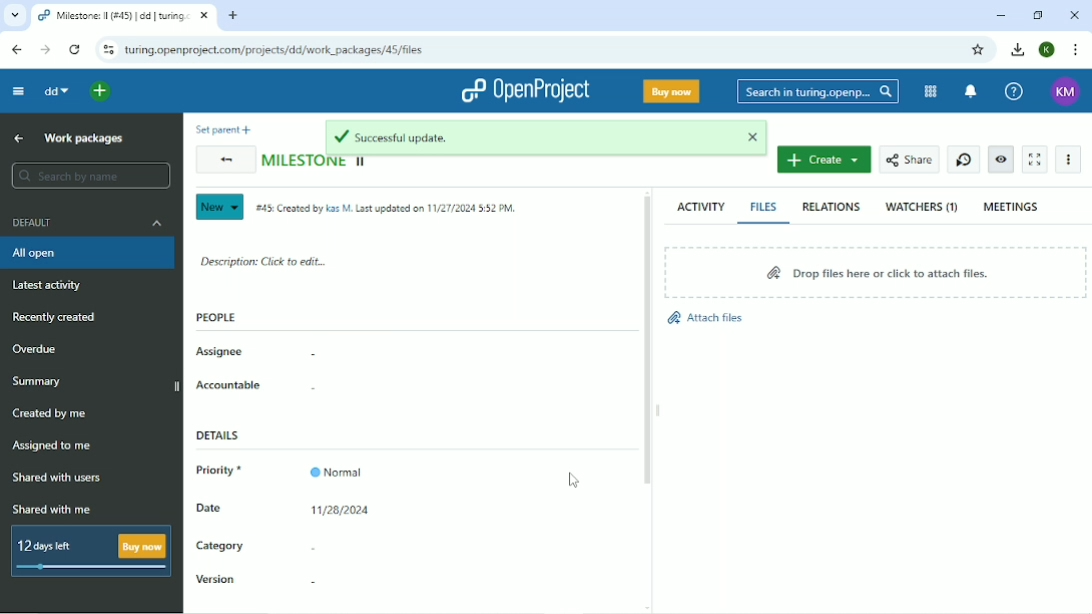 The image size is (1092, 614). I want to click on Search tabs, so click(15, 16).